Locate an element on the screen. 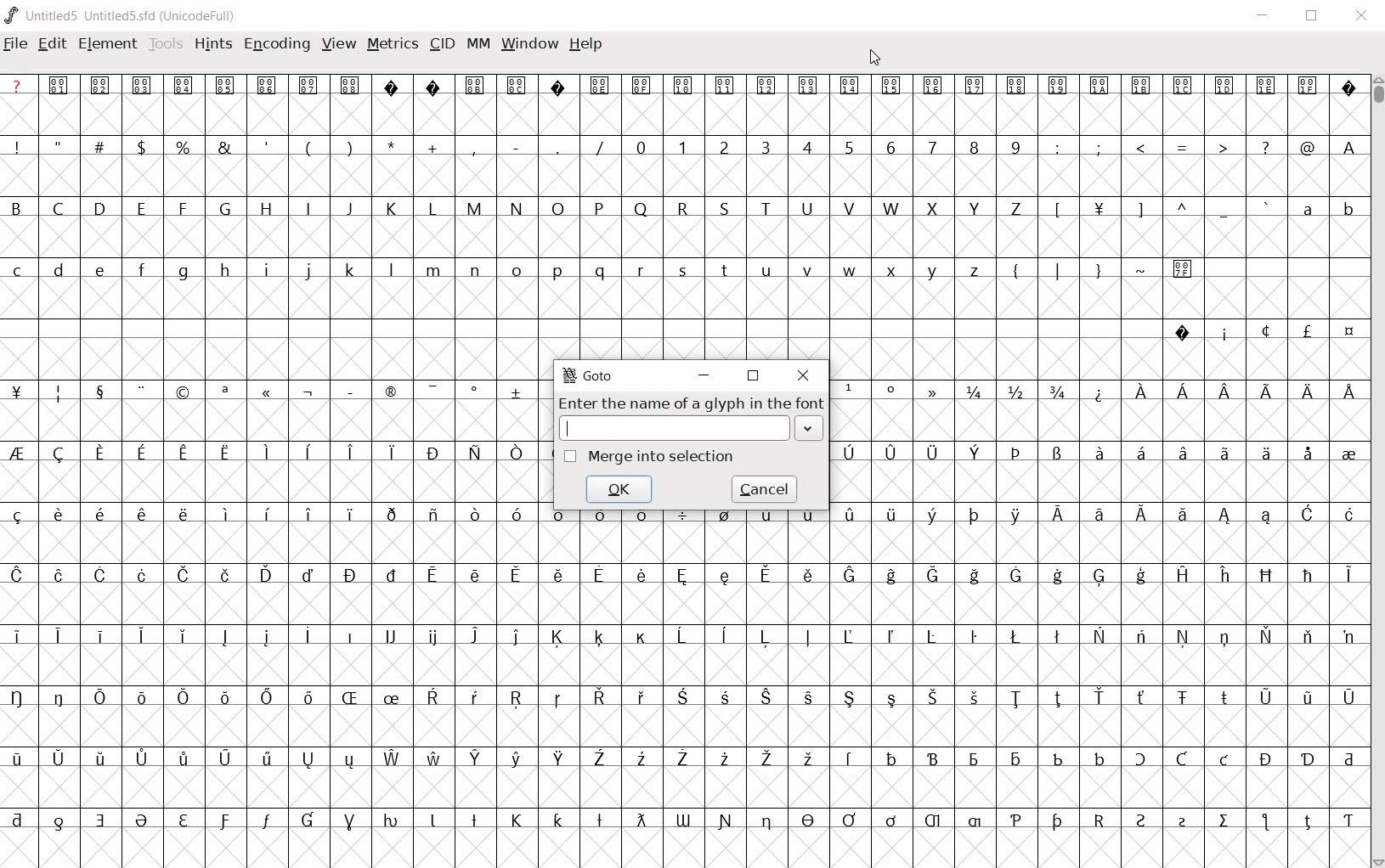  Symbol is located at coordinates (389, 700).